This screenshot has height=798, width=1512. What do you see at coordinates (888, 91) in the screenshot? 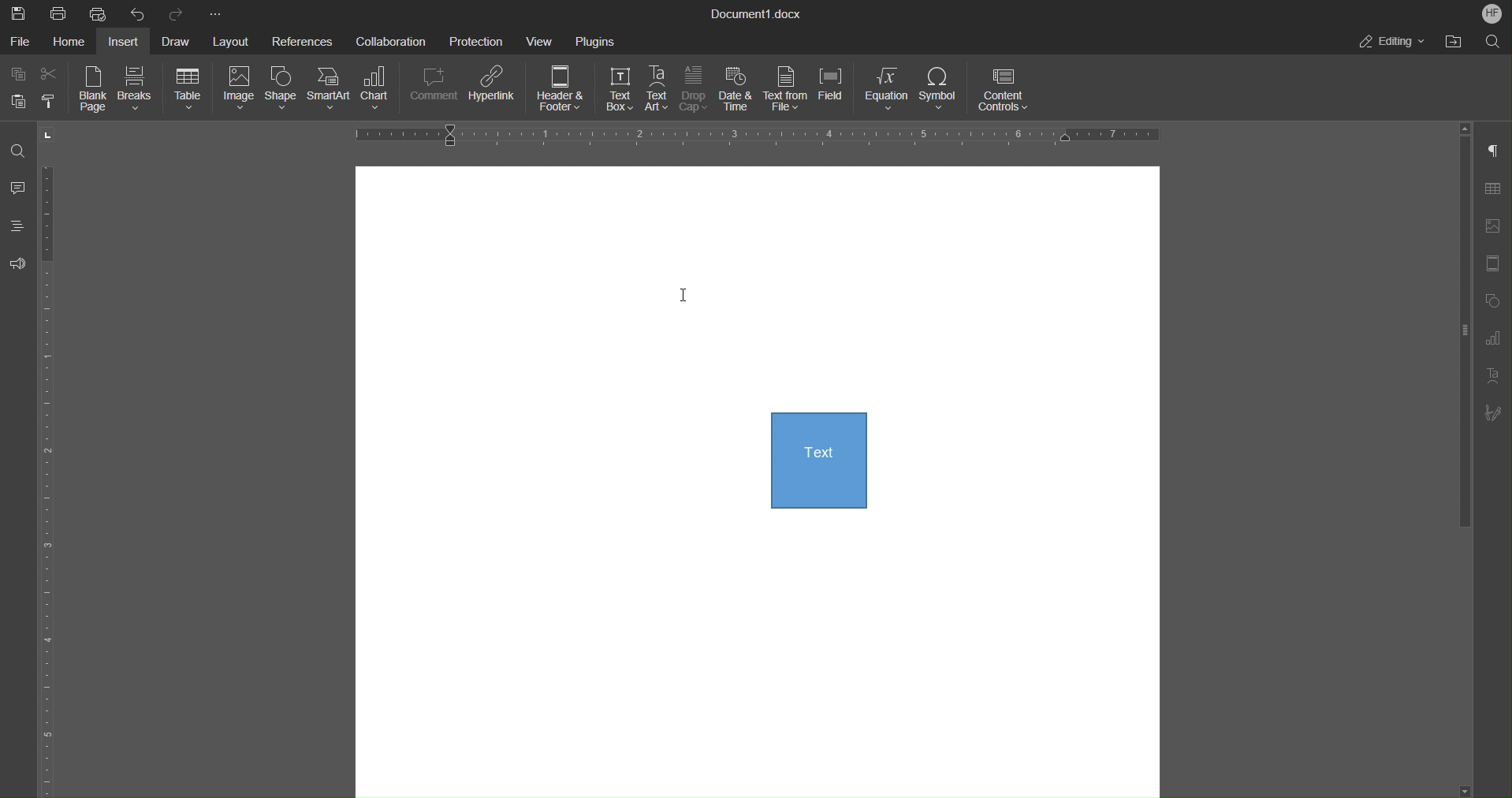
I see `Equation` at bounding box center [888, 91].